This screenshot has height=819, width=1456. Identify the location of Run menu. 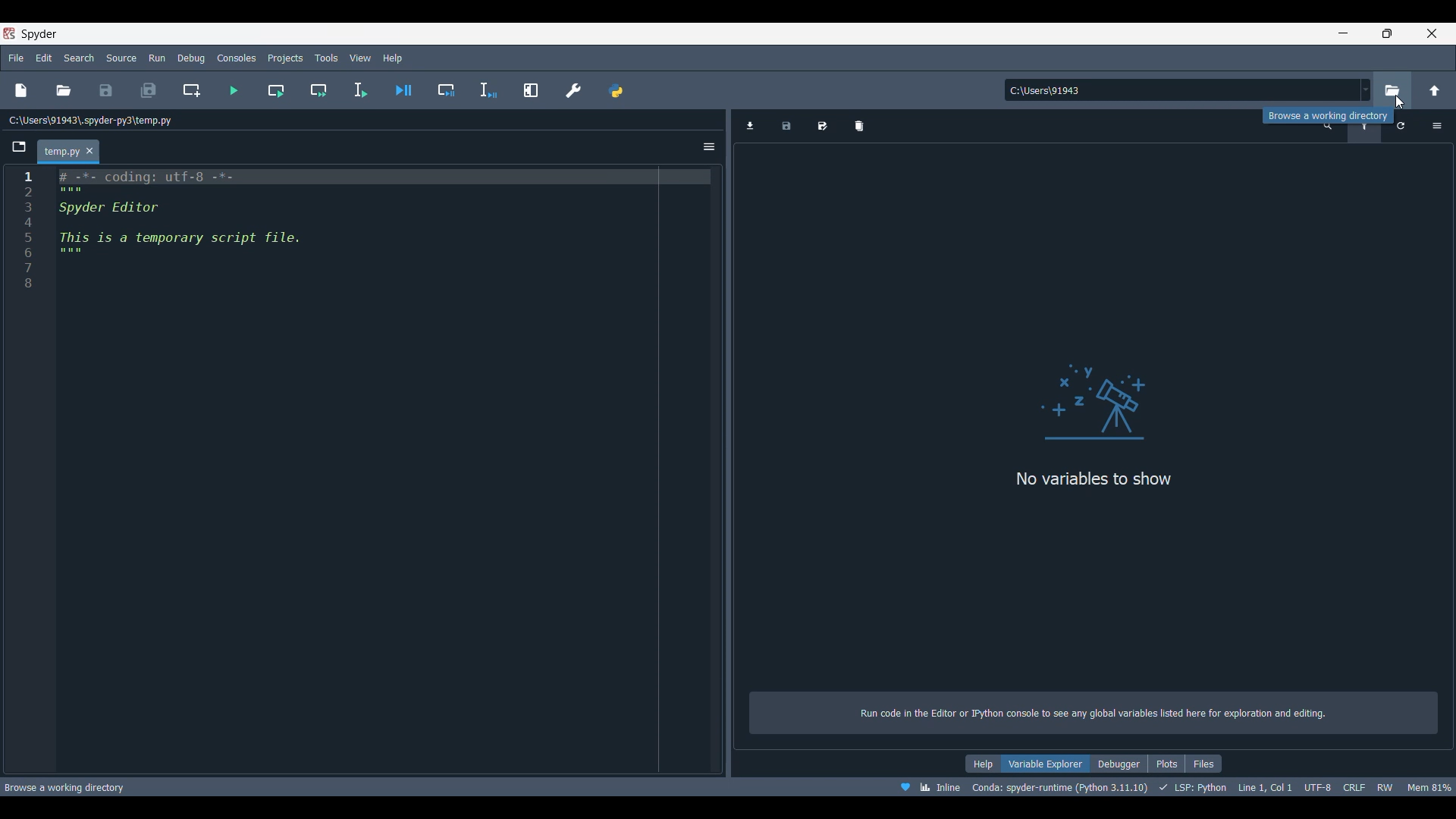
(157, 58).